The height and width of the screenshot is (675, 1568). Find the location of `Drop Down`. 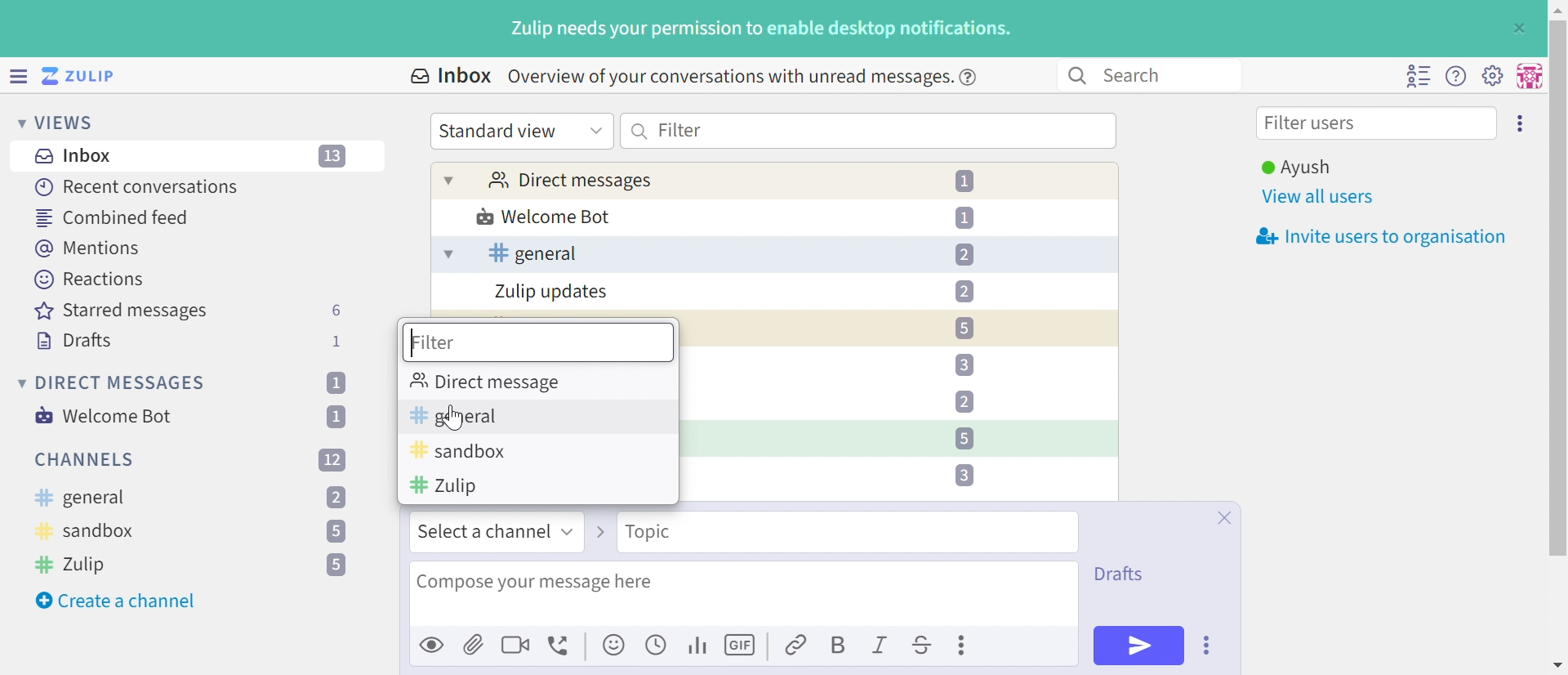

Drop Down is located at coordinates (596, 129).